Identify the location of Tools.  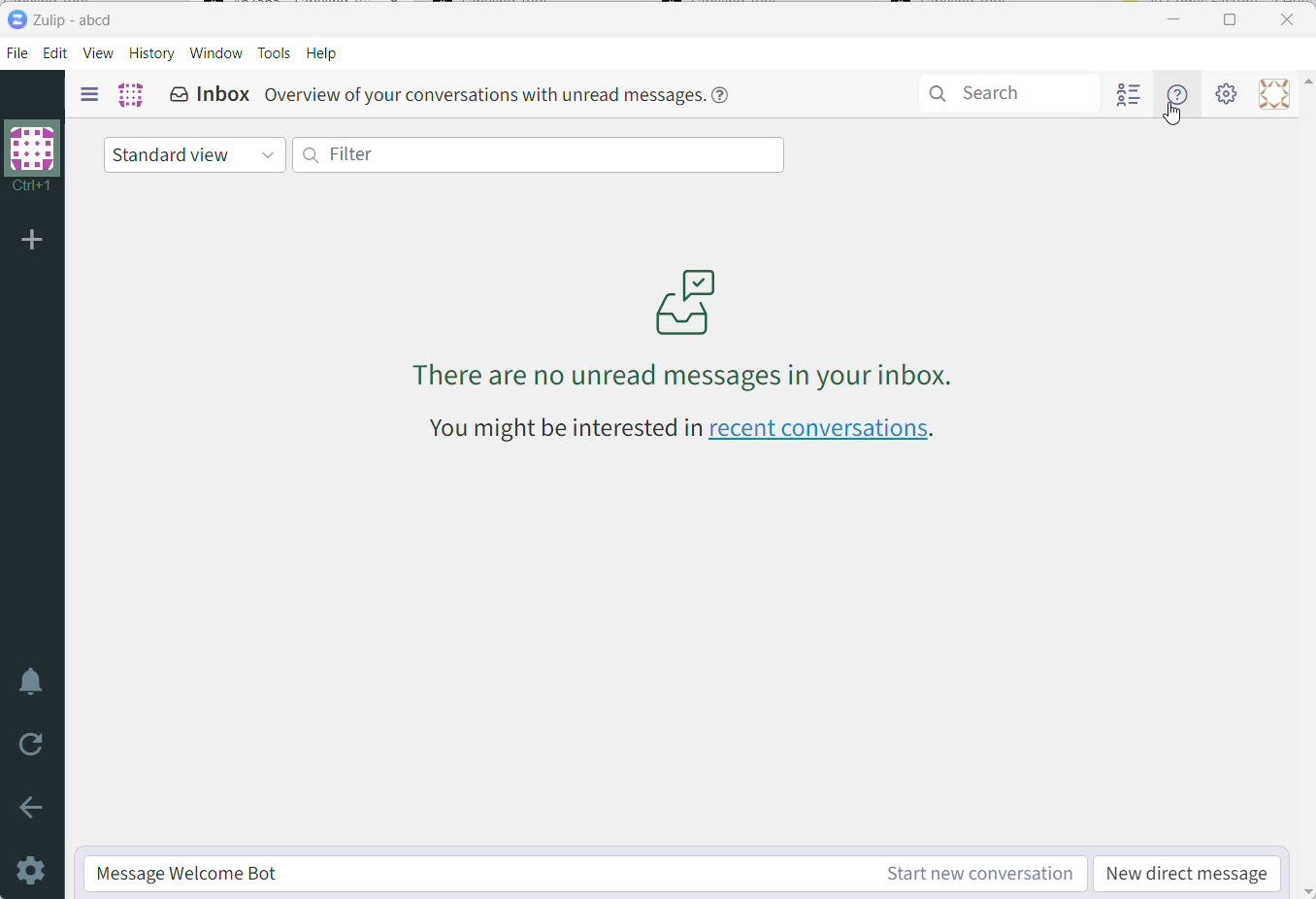
(276, 54).